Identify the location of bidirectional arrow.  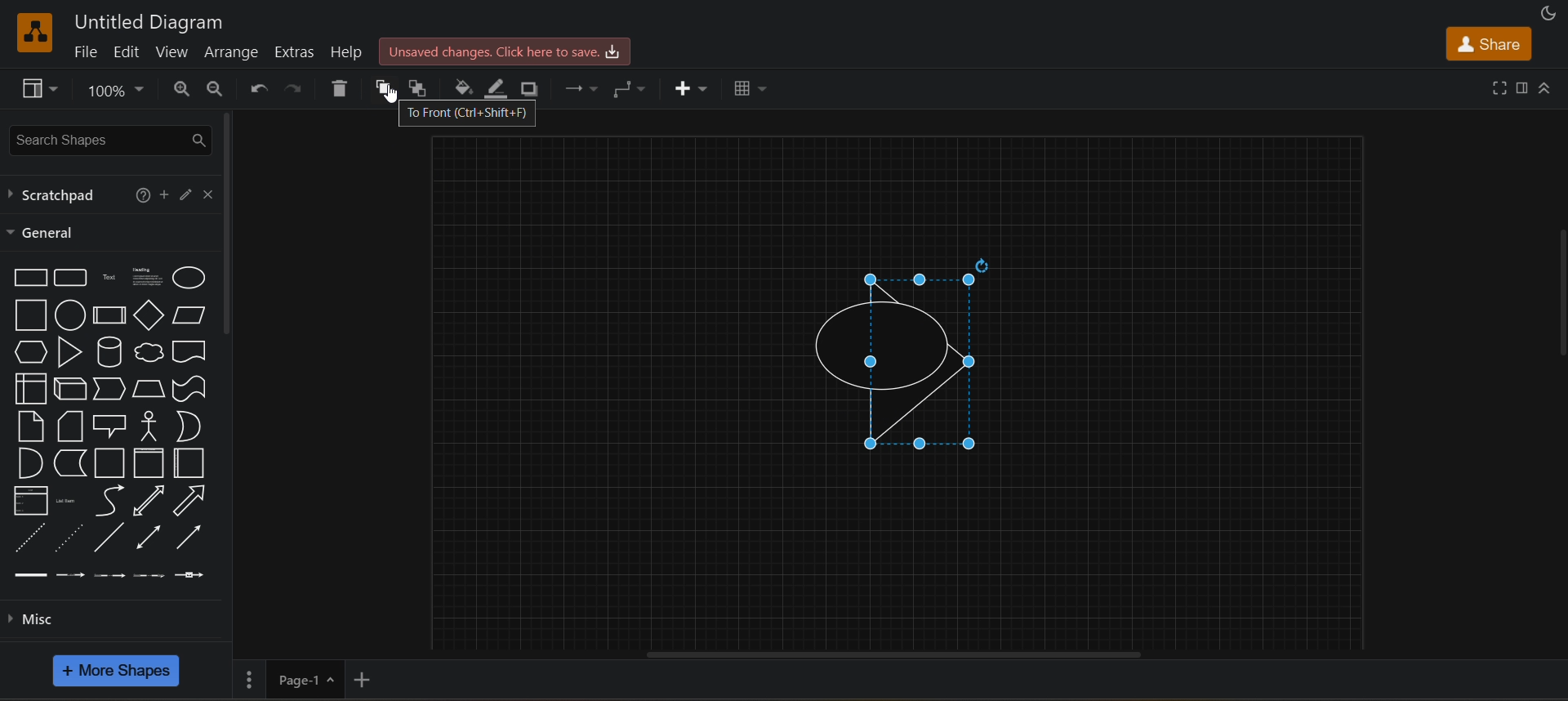
(145, 501).